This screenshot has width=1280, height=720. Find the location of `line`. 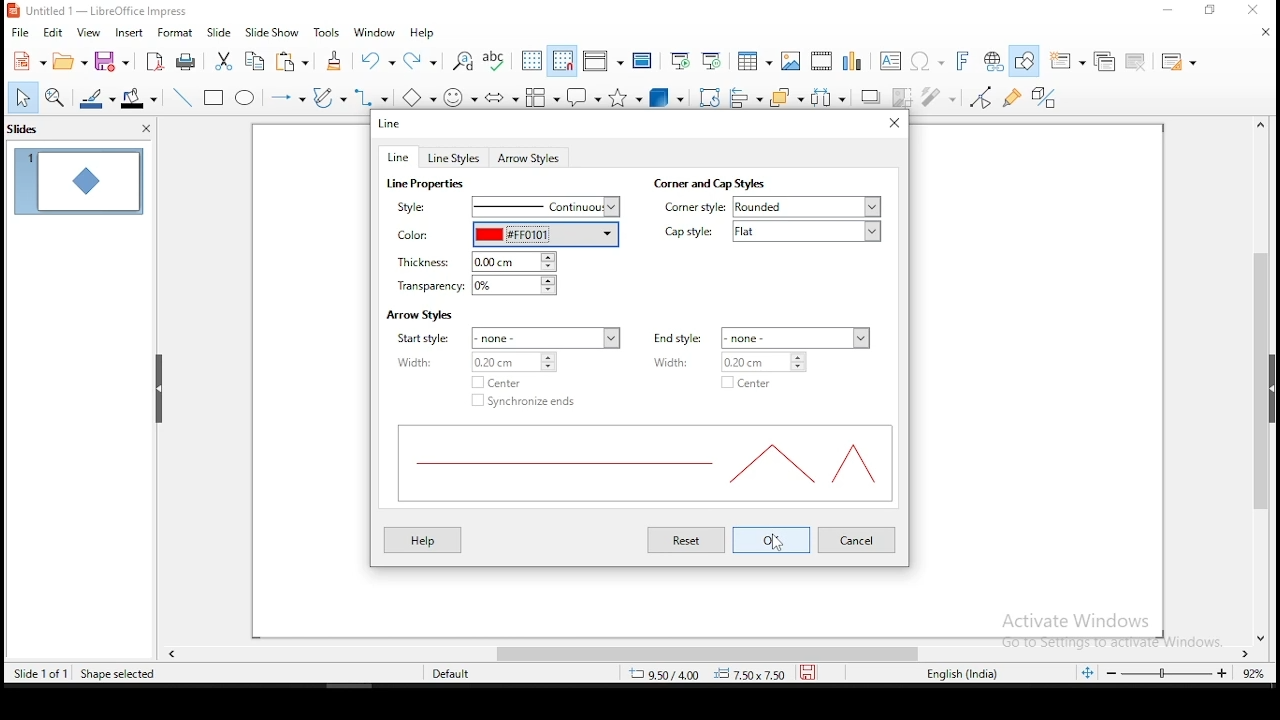

line is located at coordinates (183, 97).